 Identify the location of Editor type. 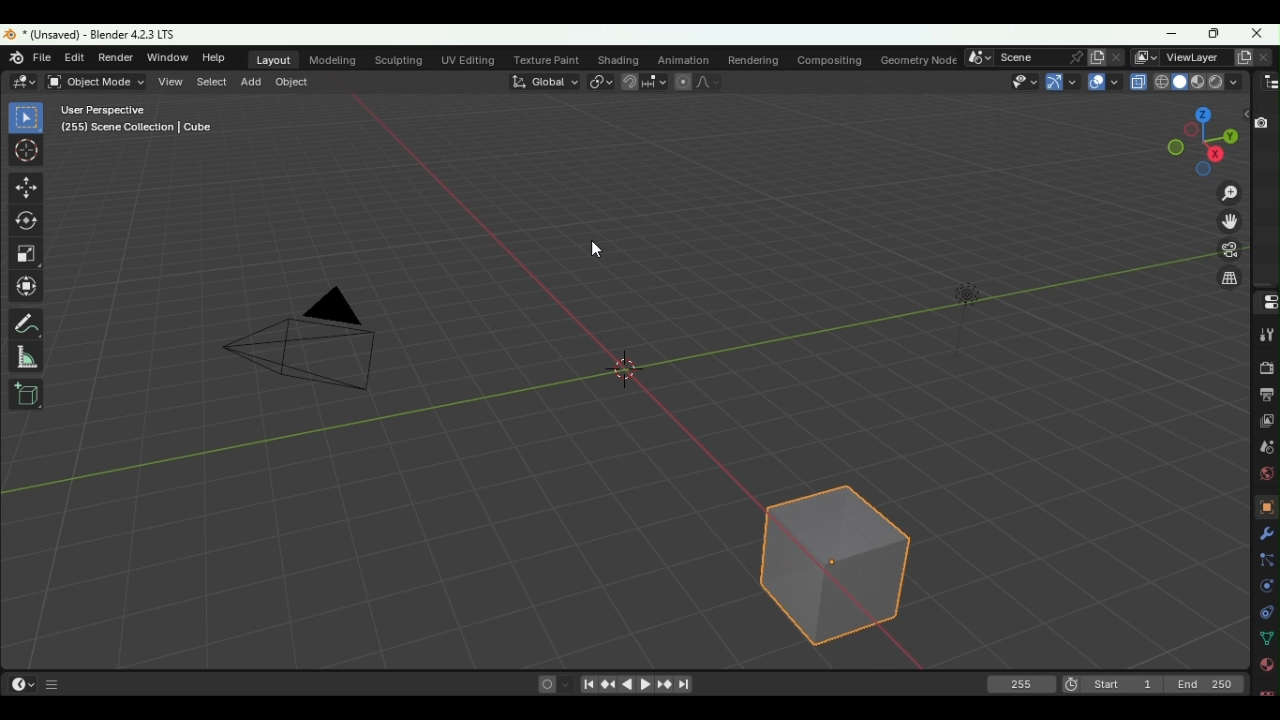
(21, 81).